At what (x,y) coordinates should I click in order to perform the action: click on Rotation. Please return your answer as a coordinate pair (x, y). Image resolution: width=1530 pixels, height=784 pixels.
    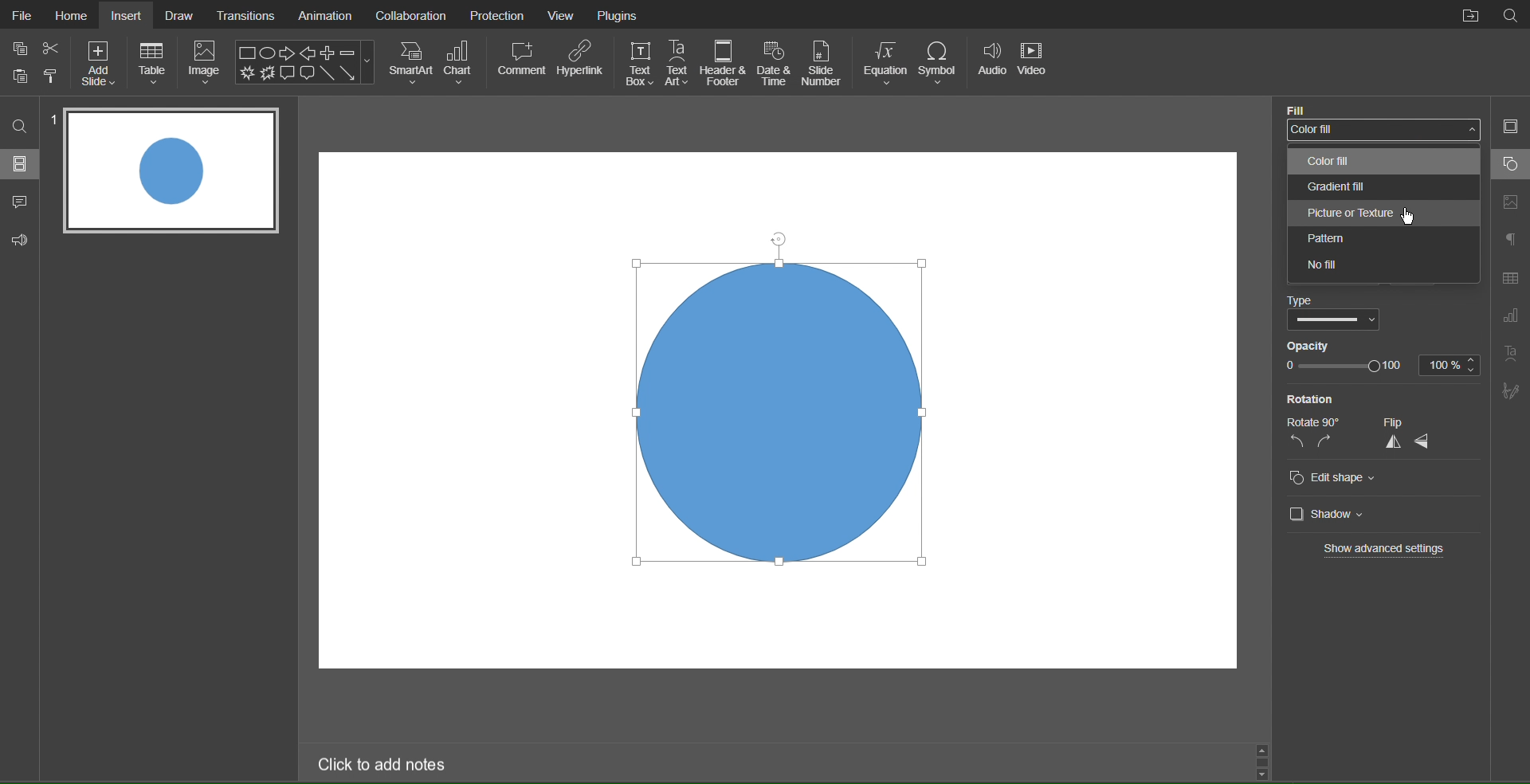
    Looking at the image, I should click on (1313, 397).